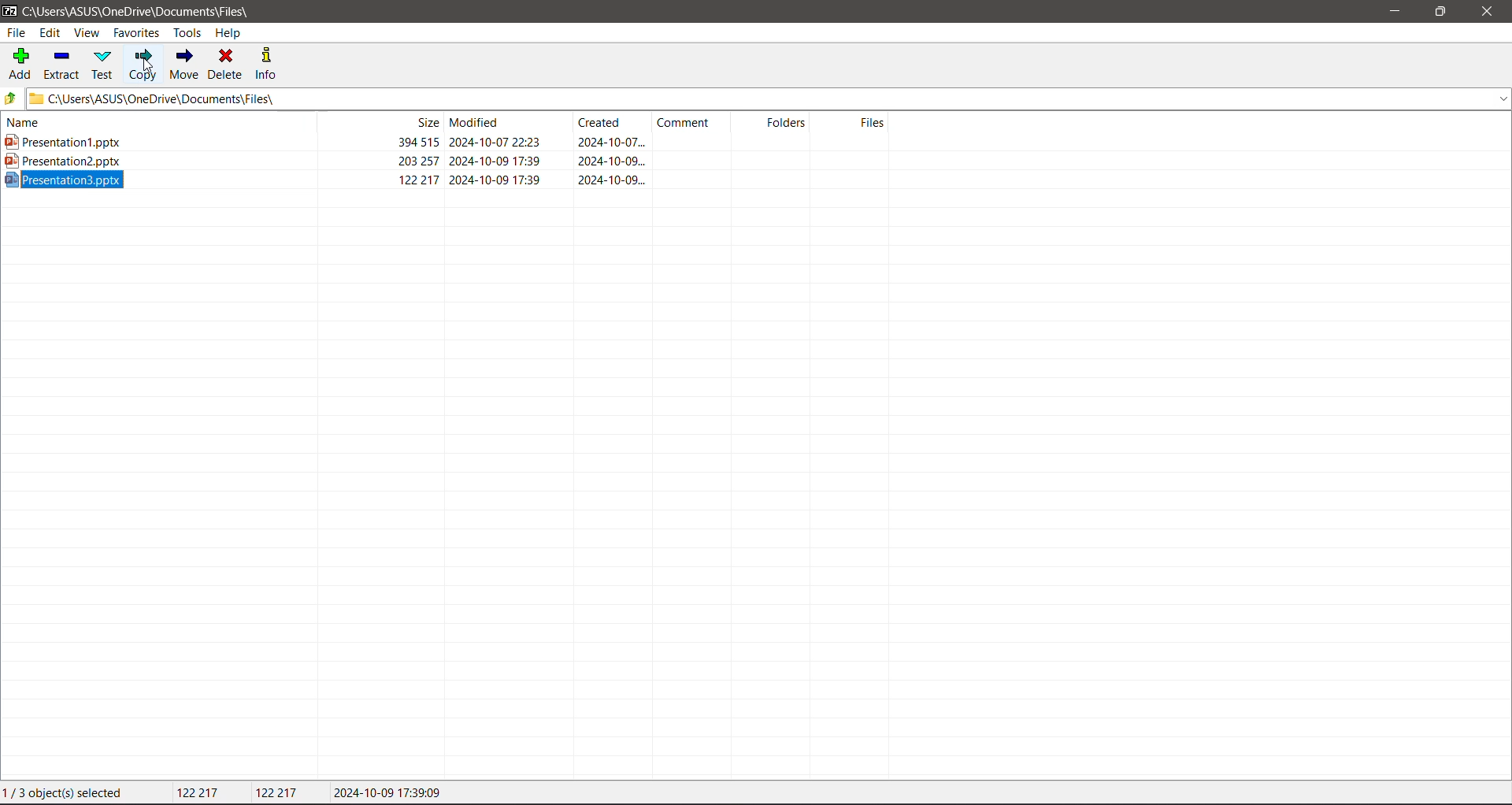 This screenshot has width=1512, height=805. What do you see at coordinates (856, 123) in the screenshot?
I see `Files` at bounding box center [856, 123].